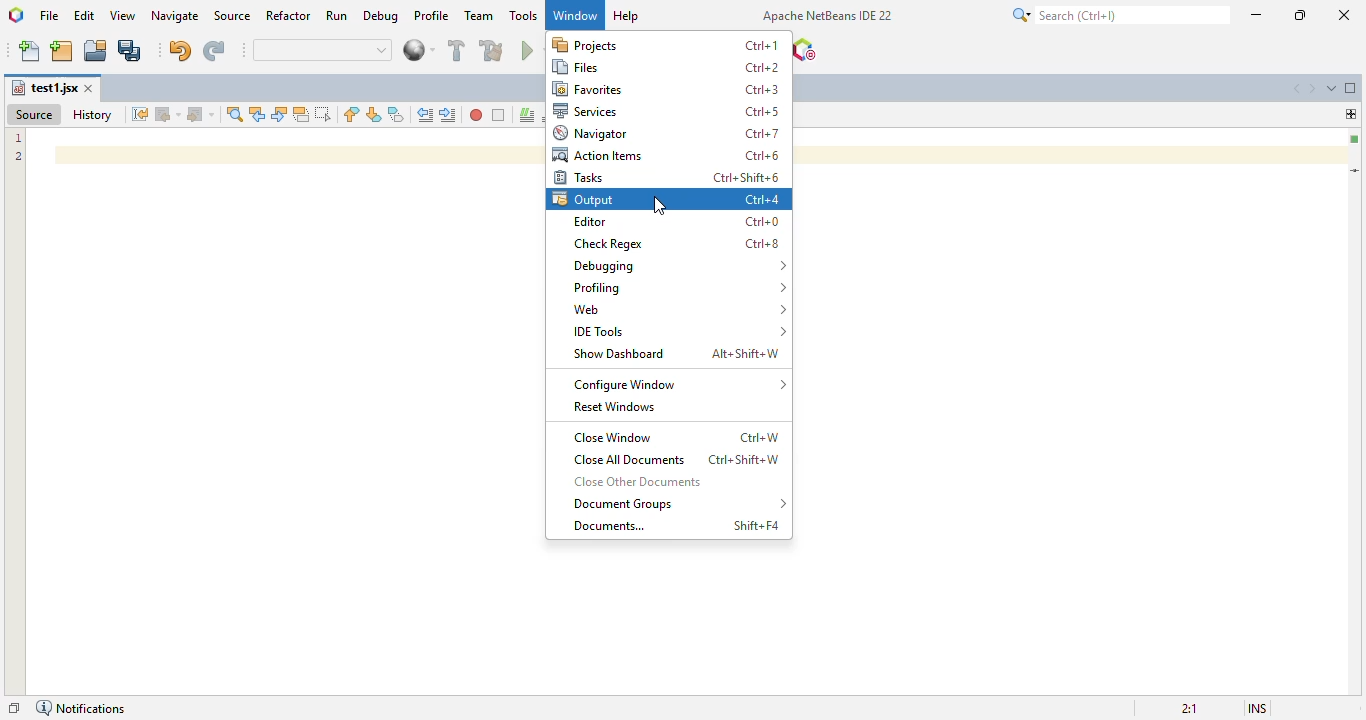 This screenshot has height=720, width=1366. I want to click on stop macro recording, so click(499, 116).